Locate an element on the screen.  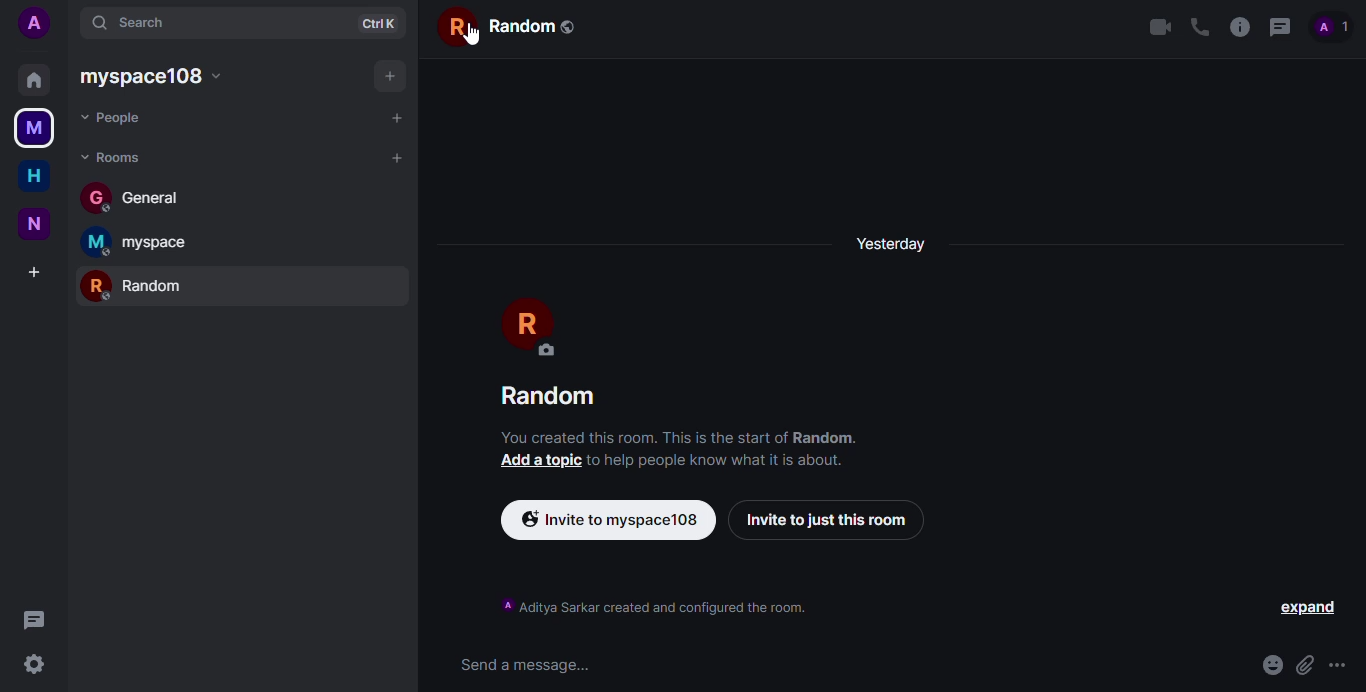
yesterday is located at coordinates (899, 243).